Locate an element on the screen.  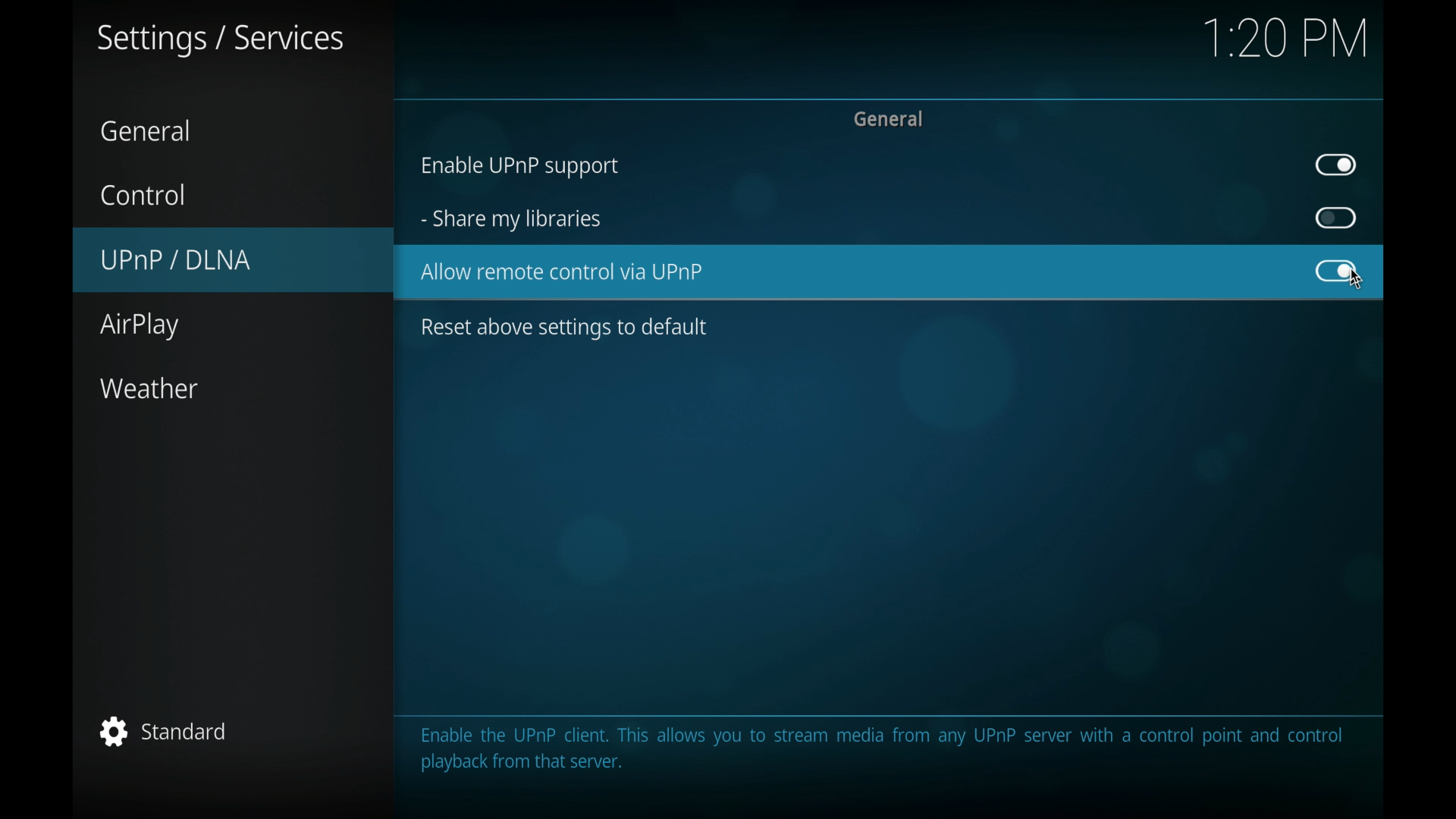
airplay is located at coordinates (138, 327).